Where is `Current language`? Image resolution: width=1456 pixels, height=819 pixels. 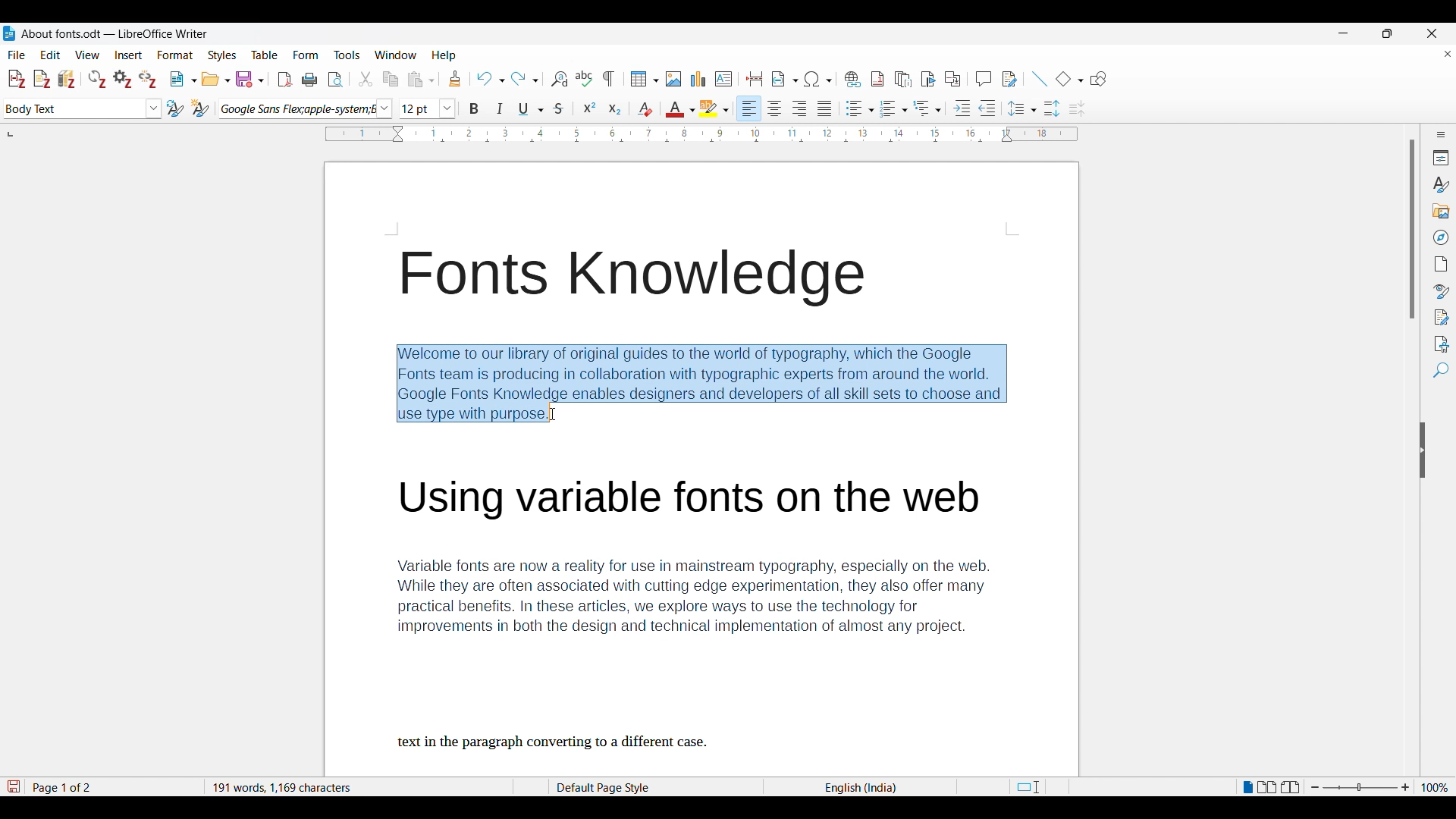
Current language is located at coordinates (863, 787).